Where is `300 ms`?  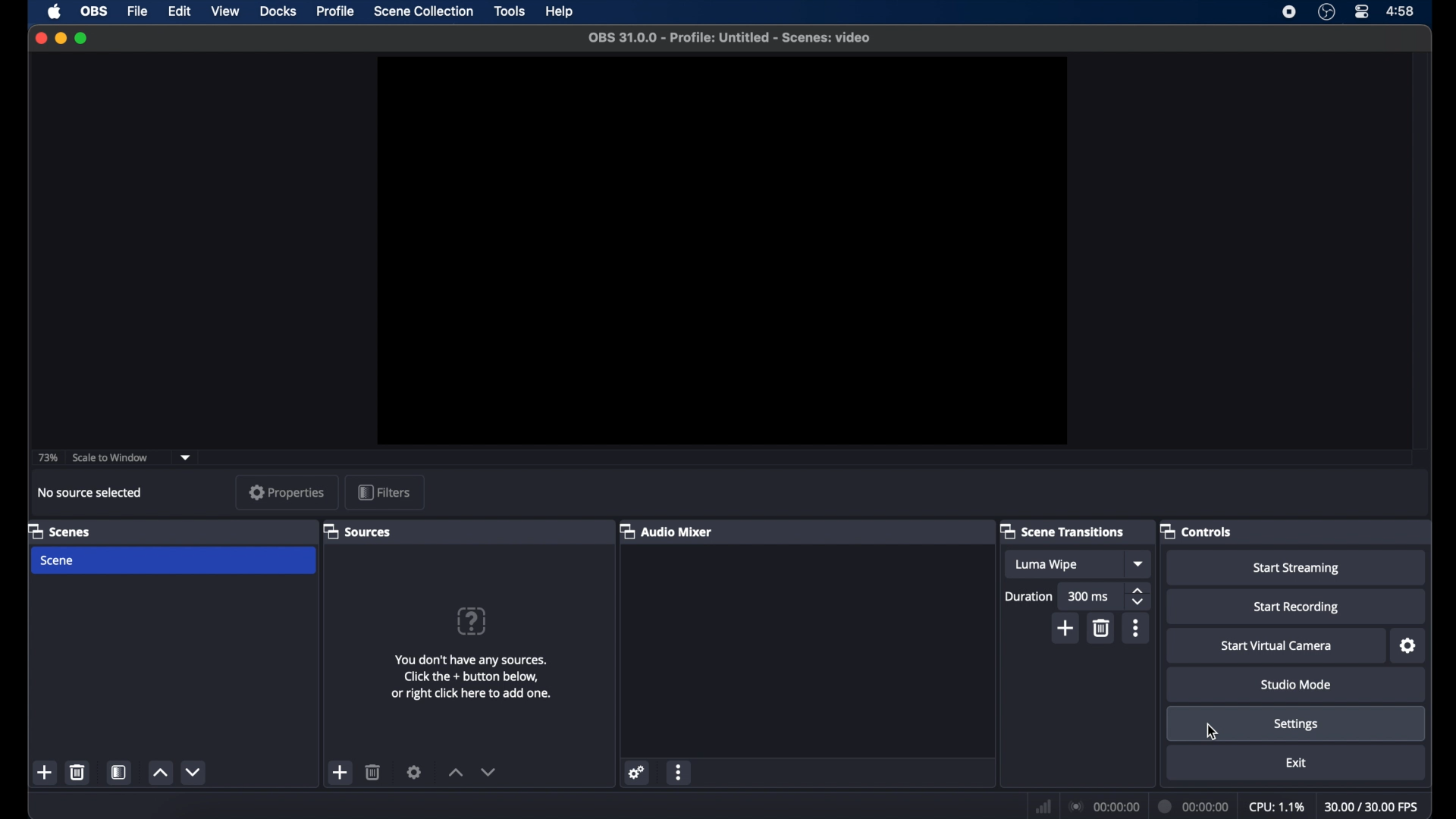 300 ms is located at coordinates (1089, 596).